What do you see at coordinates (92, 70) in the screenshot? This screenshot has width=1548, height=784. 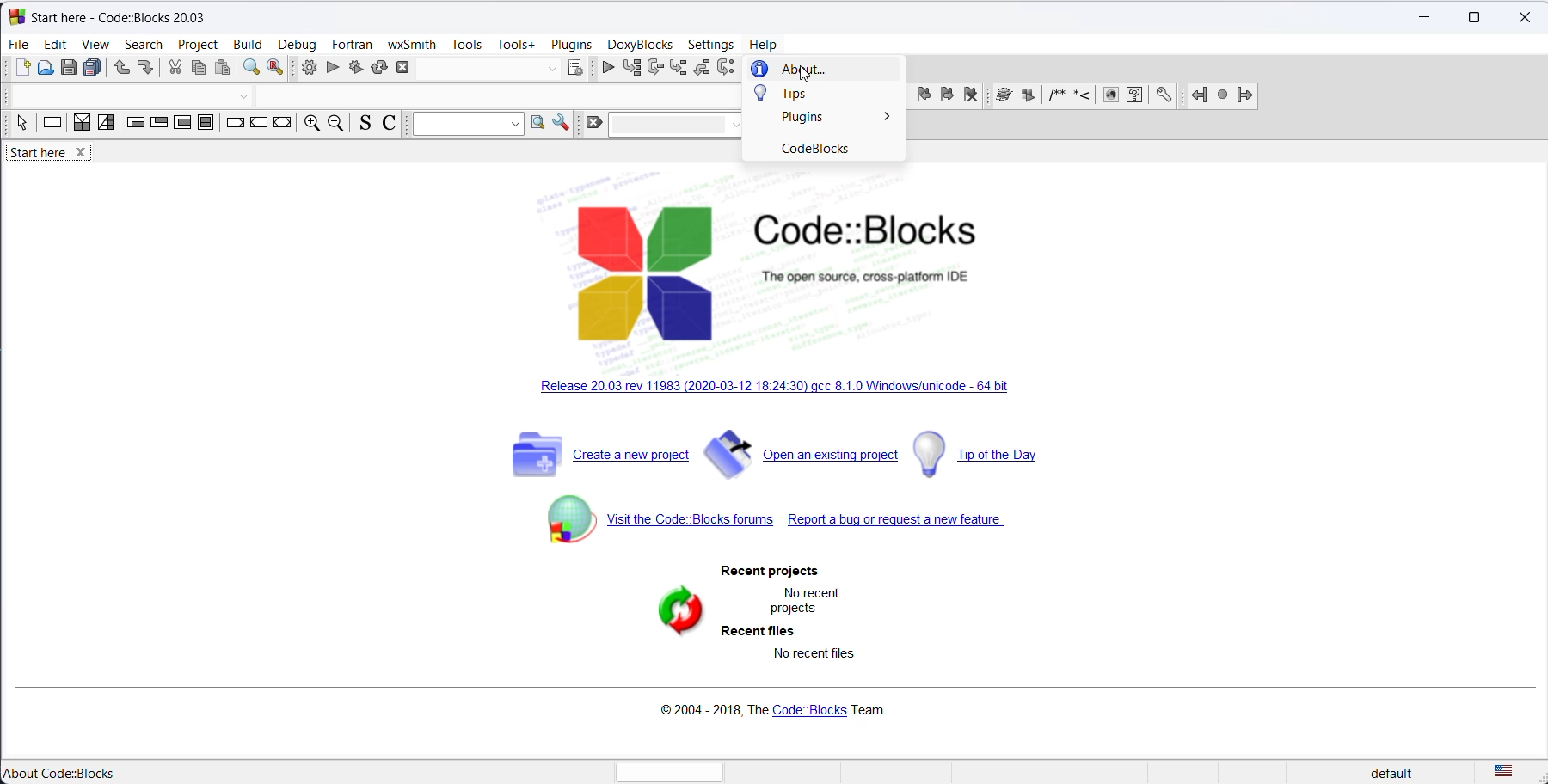 I see `save all` at bounding box center [92, 70].